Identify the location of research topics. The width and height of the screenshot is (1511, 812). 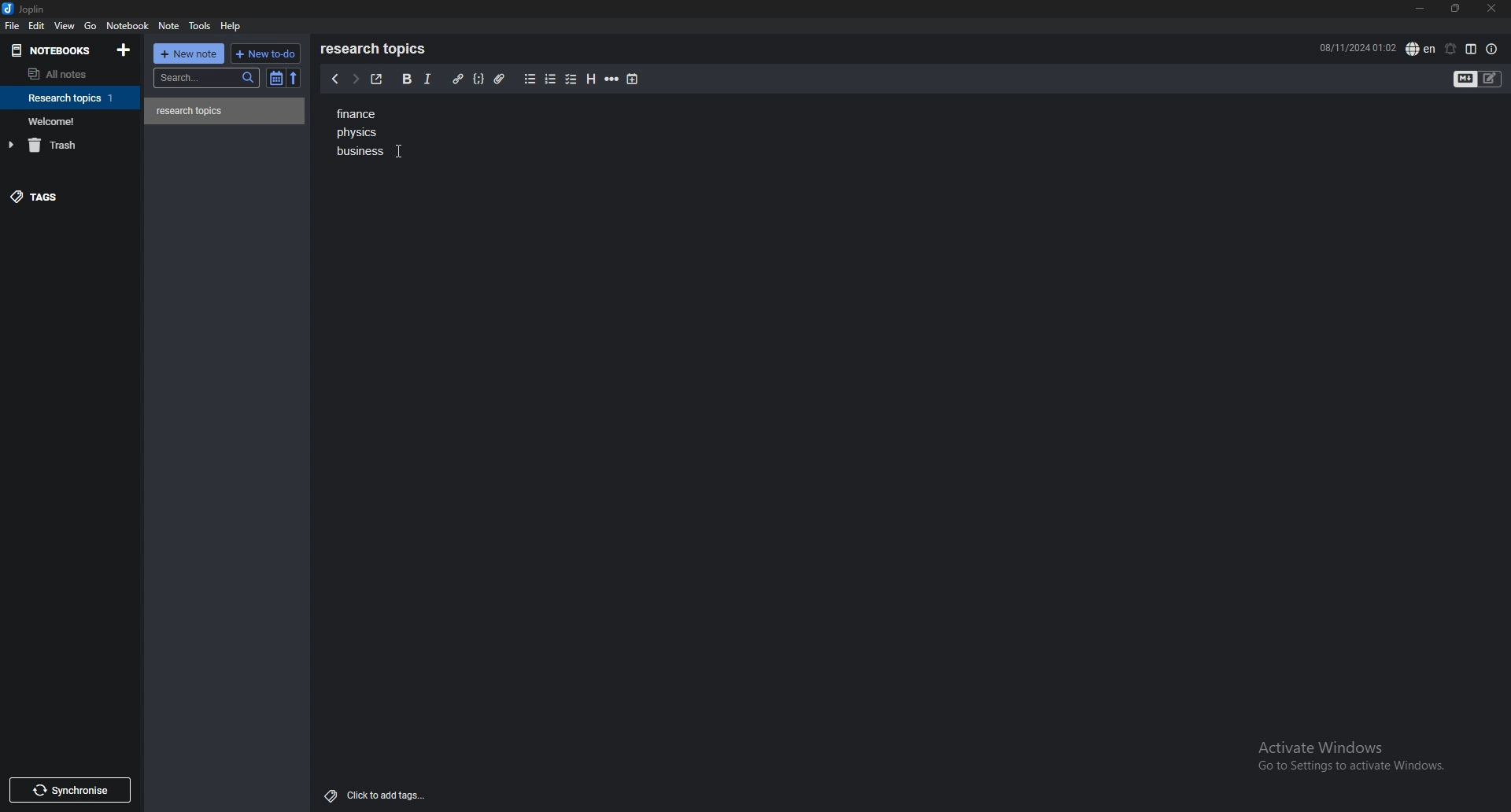
(376, 49).